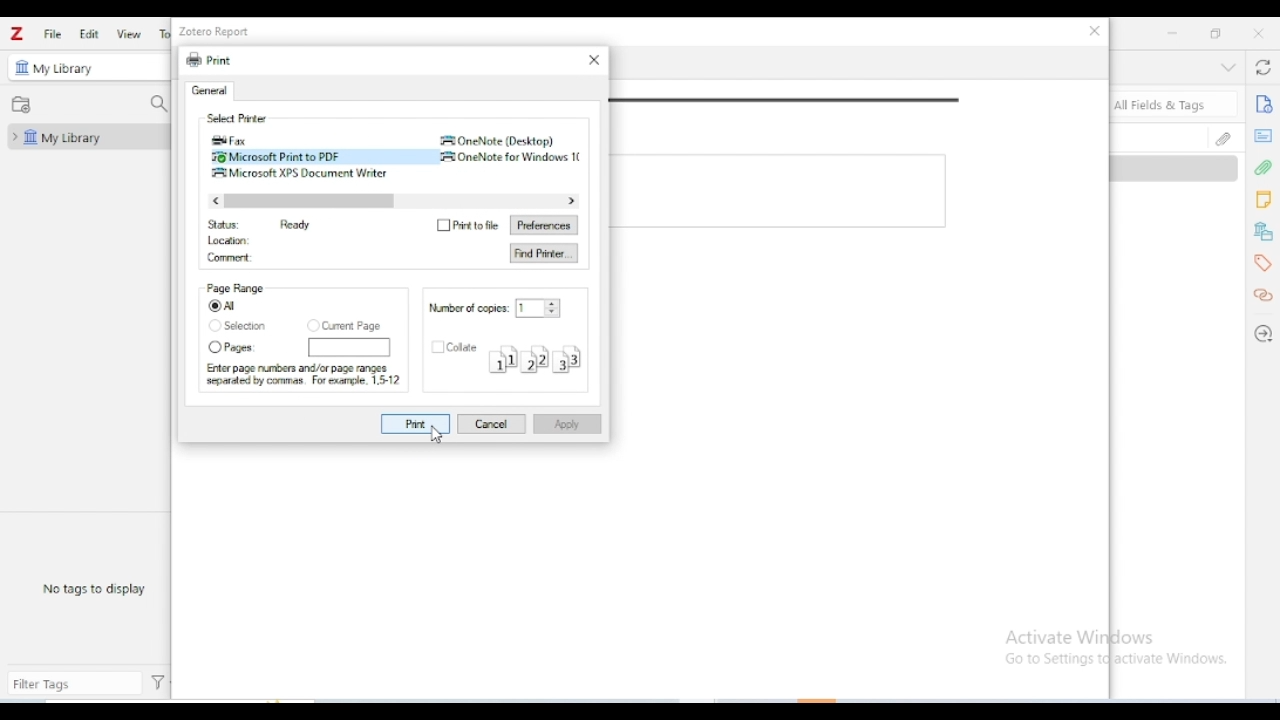  What do you see at coordinates (305, 375) in the screenshot?
I see `Enter page numbers and/or page ranges separated by commas. For example, 1.512` at bounding box center [305, 375].